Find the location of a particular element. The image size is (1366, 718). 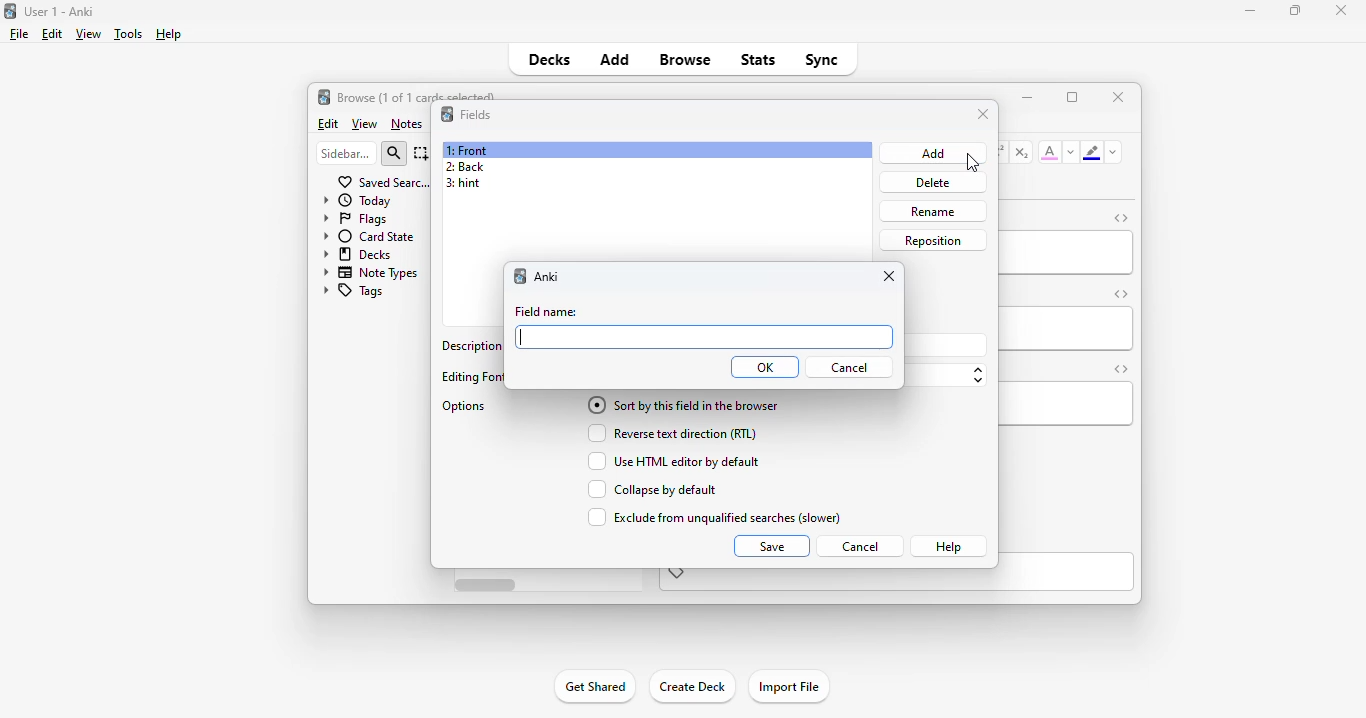

notes is located at coordinates (406, 124).